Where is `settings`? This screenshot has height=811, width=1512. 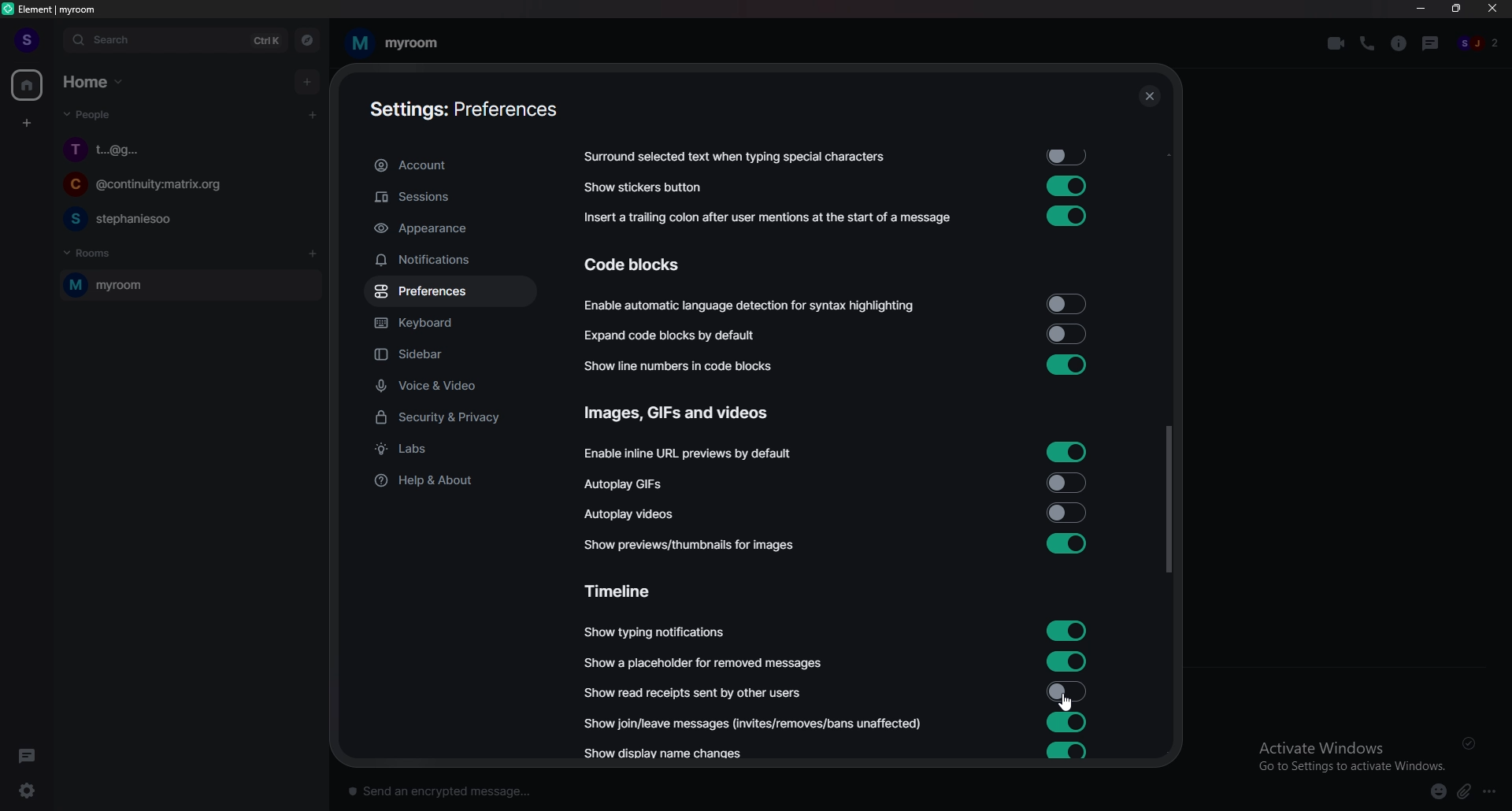 settings is located at coordinates (36, 791).